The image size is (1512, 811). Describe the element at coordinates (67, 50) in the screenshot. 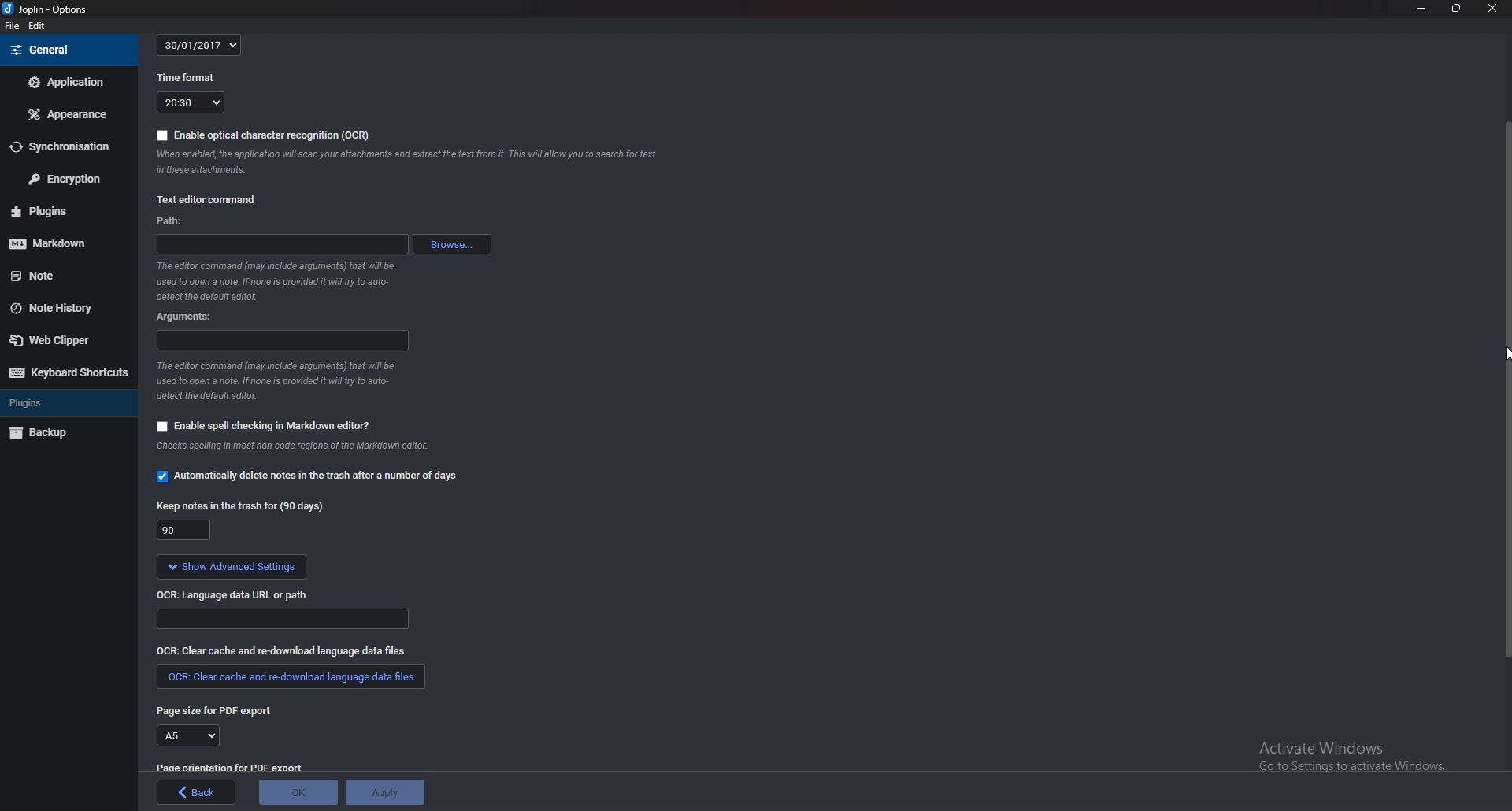

I see `general` at that location.